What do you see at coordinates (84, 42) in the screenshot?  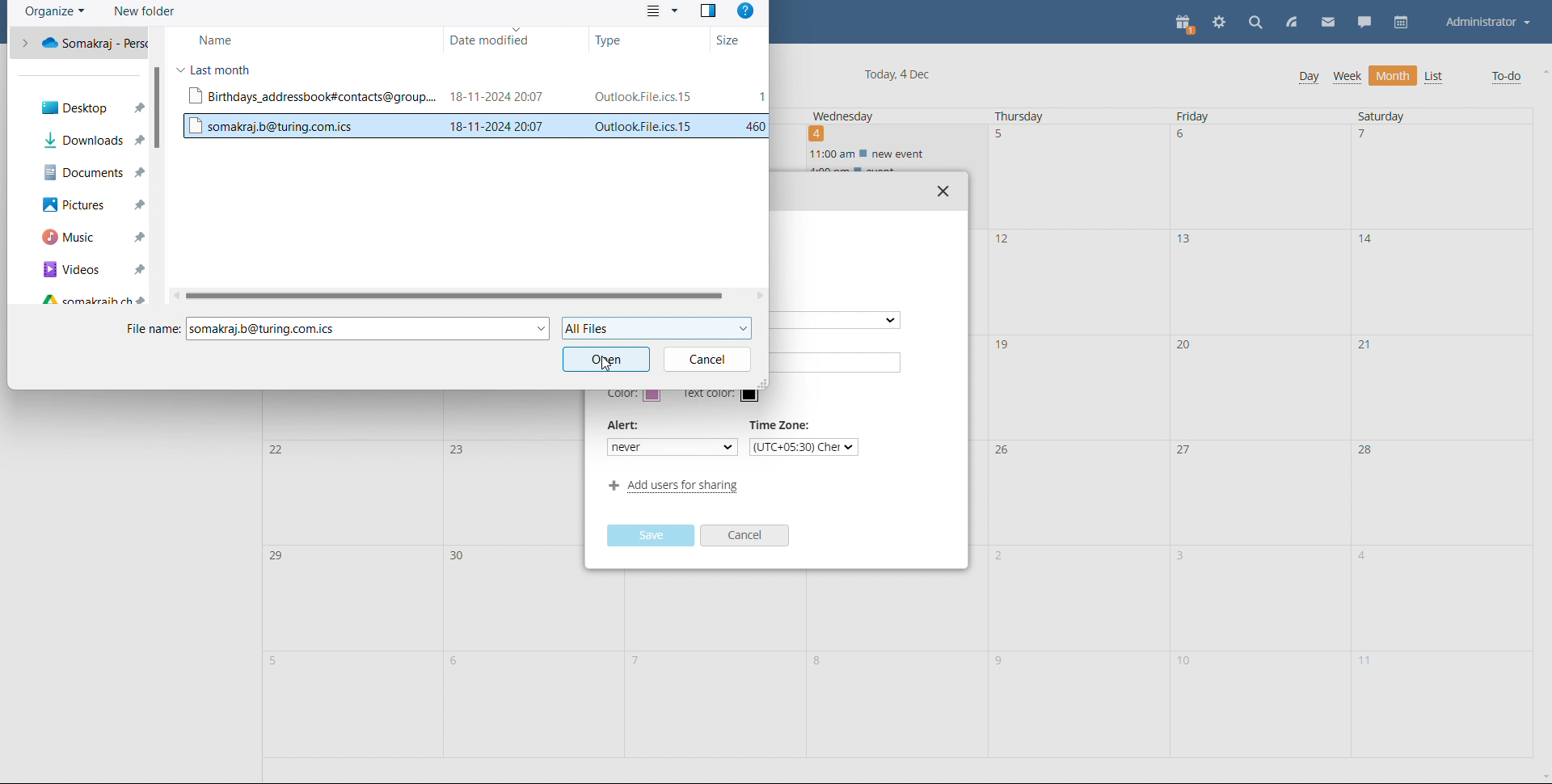 I see `one drive` at bounding box center [84, 42].